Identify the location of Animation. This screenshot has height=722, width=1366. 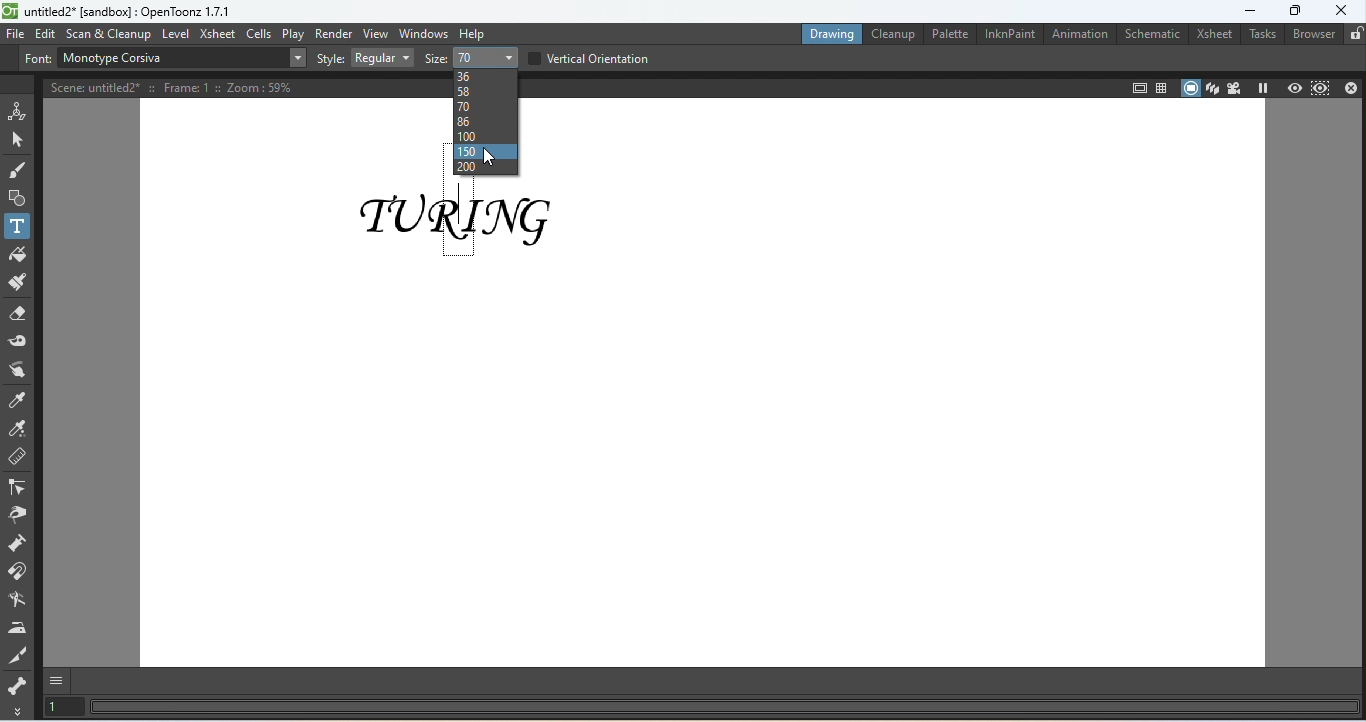
(1075, 35).